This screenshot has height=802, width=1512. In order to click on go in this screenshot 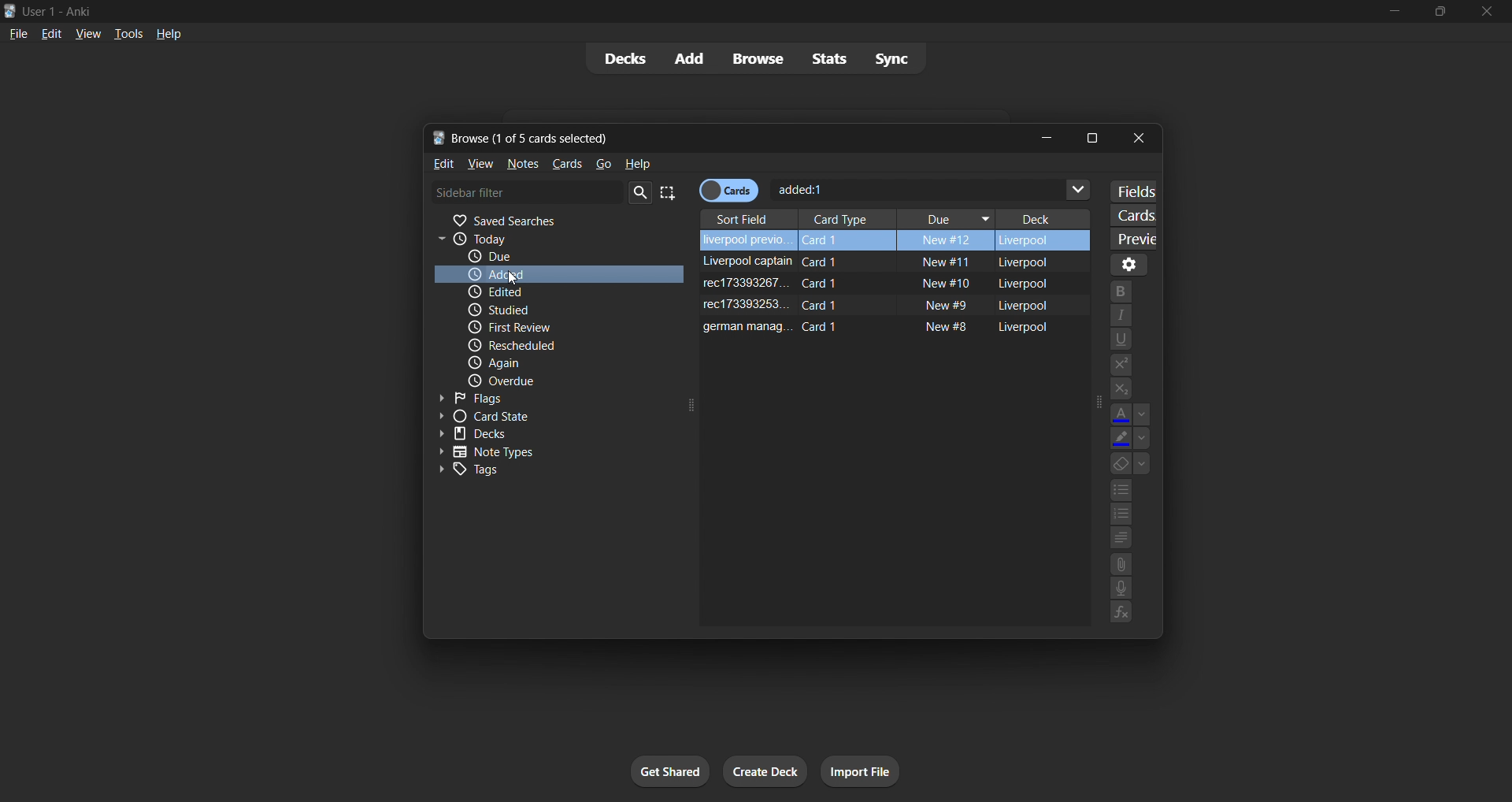, I will do `click(603, 164)`.